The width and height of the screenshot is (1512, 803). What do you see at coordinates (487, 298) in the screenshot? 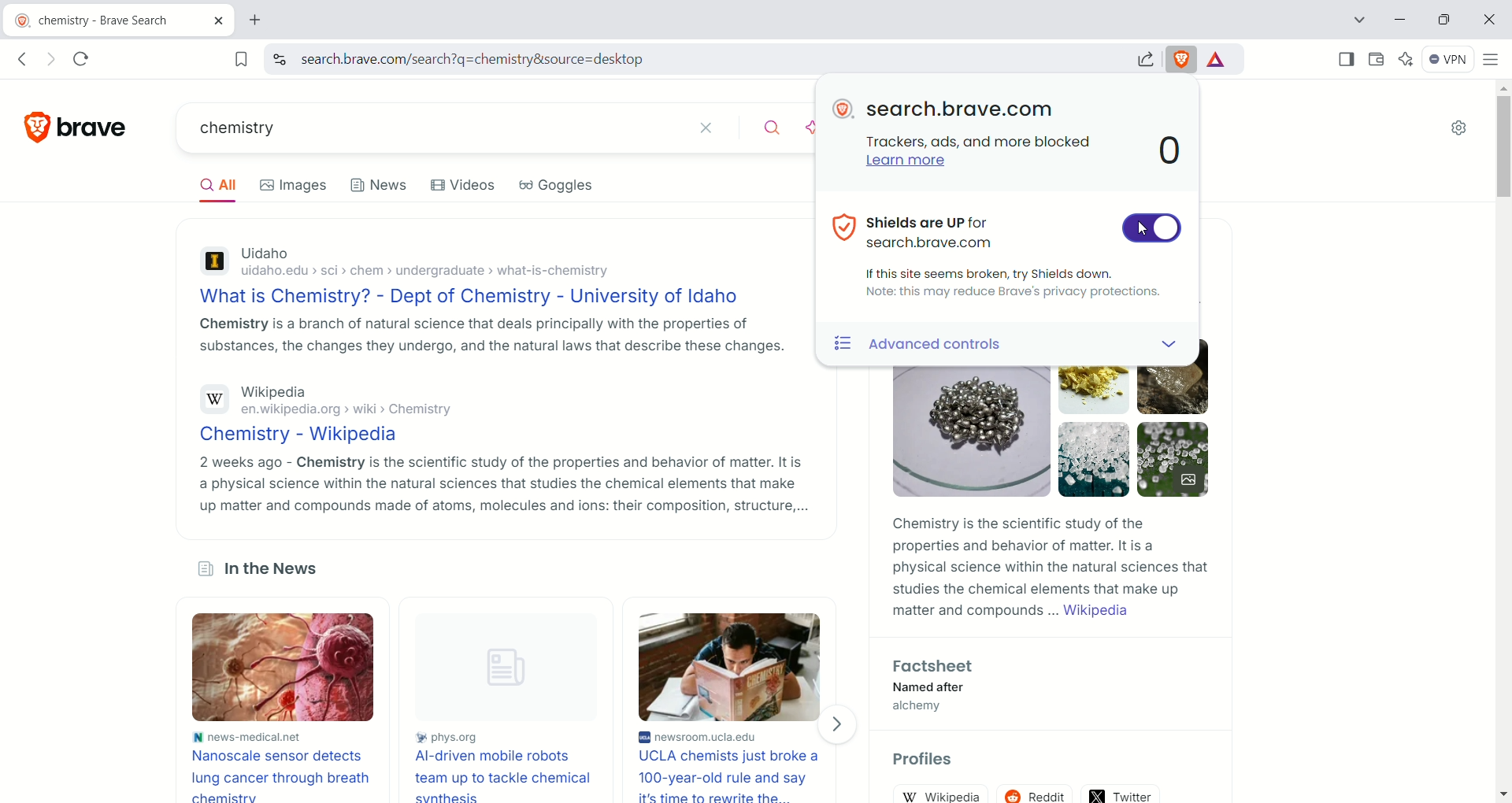
I see `What is chemistry? - Dept of Chemistry - University of Idaho` at bounding box center [487, 298].